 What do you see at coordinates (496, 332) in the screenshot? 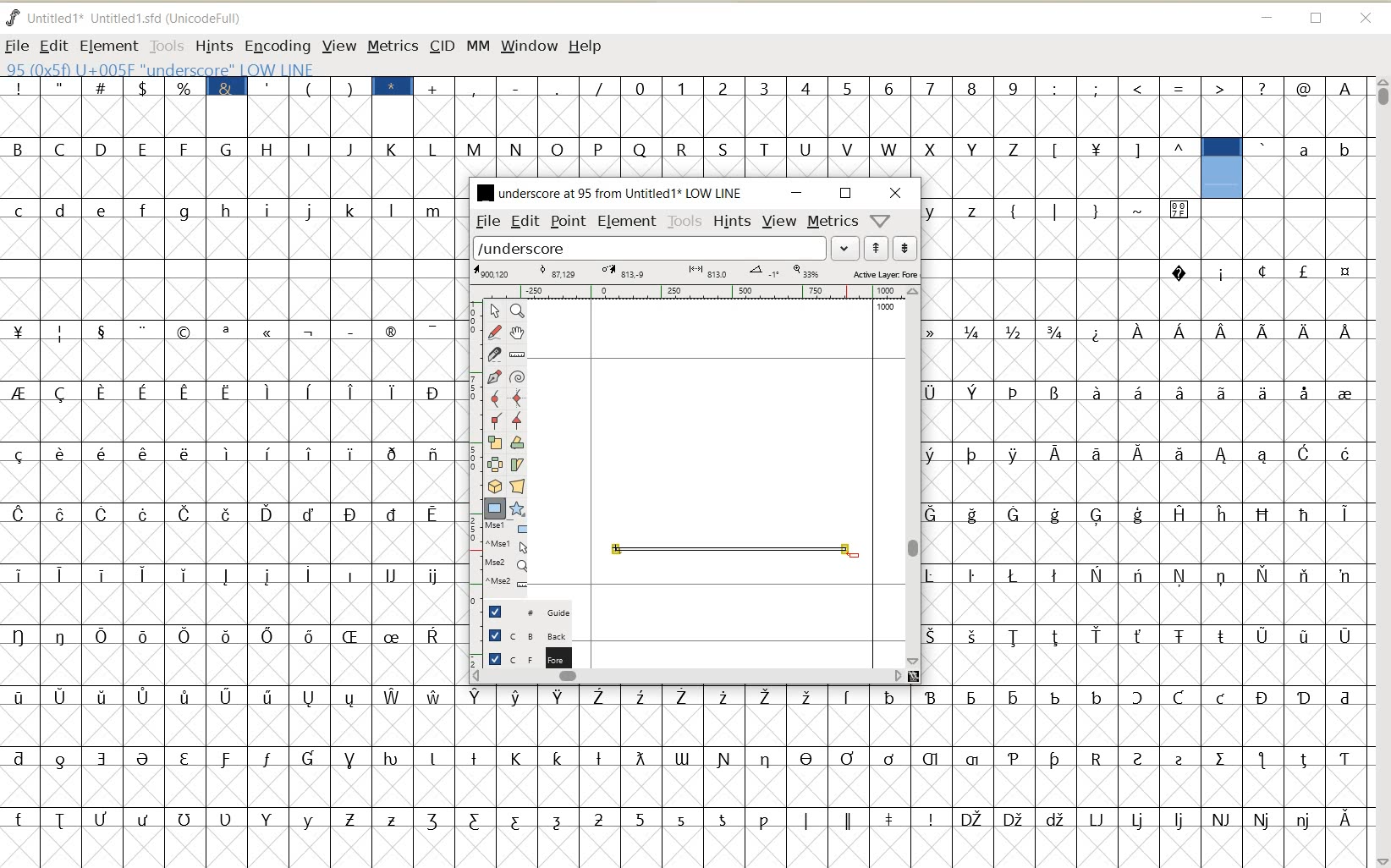
I see `draw a freehand curve` at bounding box center [496, 332].